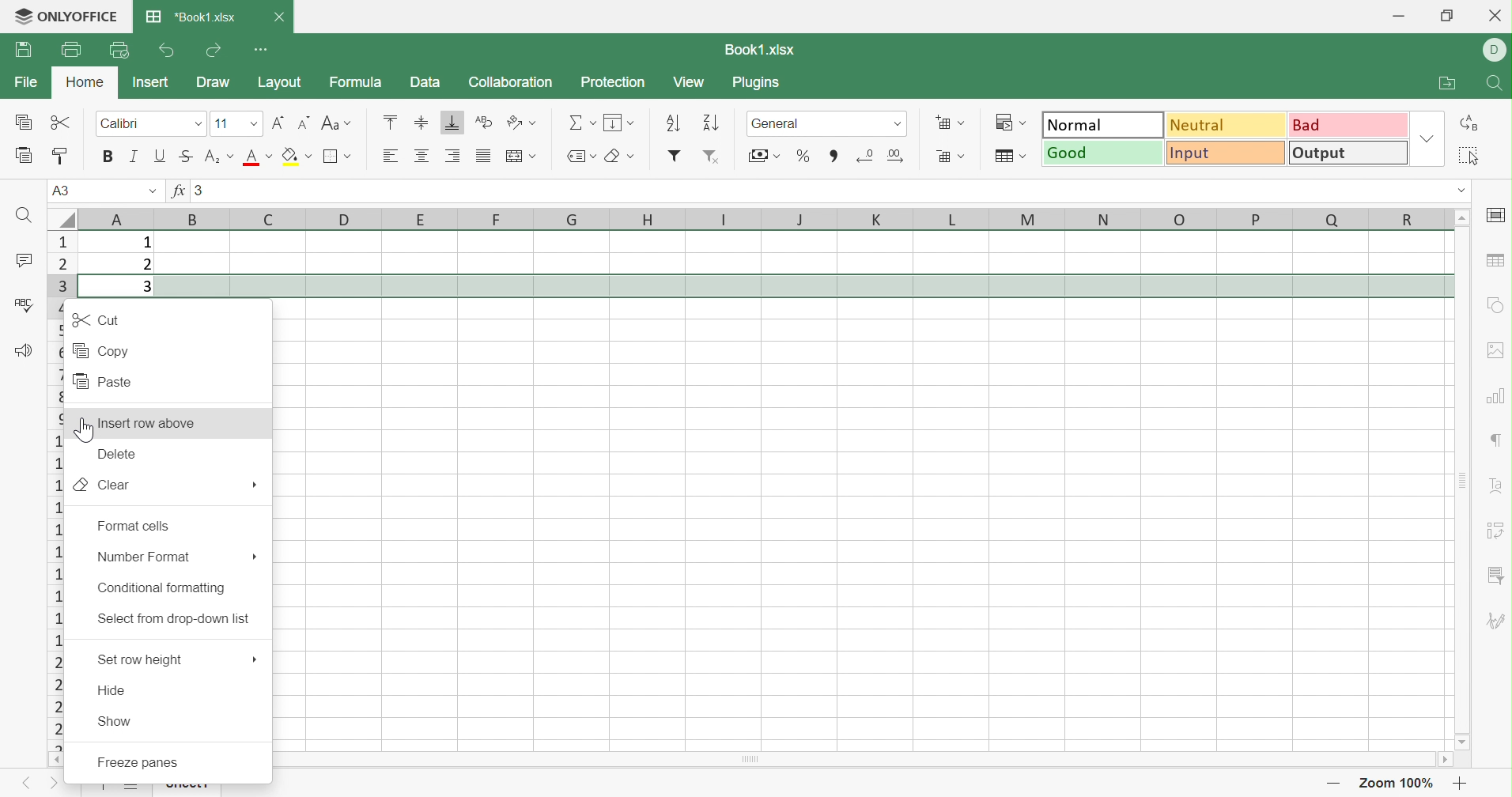 This screenshot has width=1512, height=797. I want to click on Orientation, so click(514, 121).